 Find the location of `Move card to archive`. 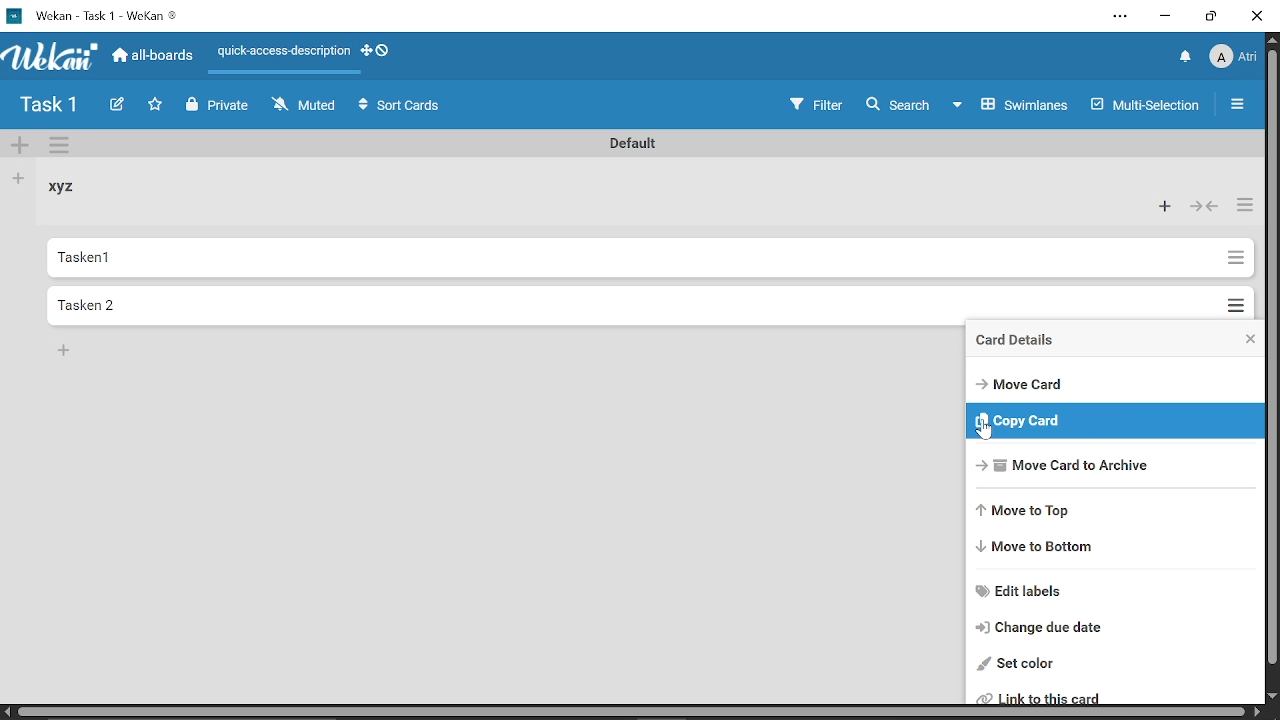

Move card to archive is located at coordinates (1115, 463).